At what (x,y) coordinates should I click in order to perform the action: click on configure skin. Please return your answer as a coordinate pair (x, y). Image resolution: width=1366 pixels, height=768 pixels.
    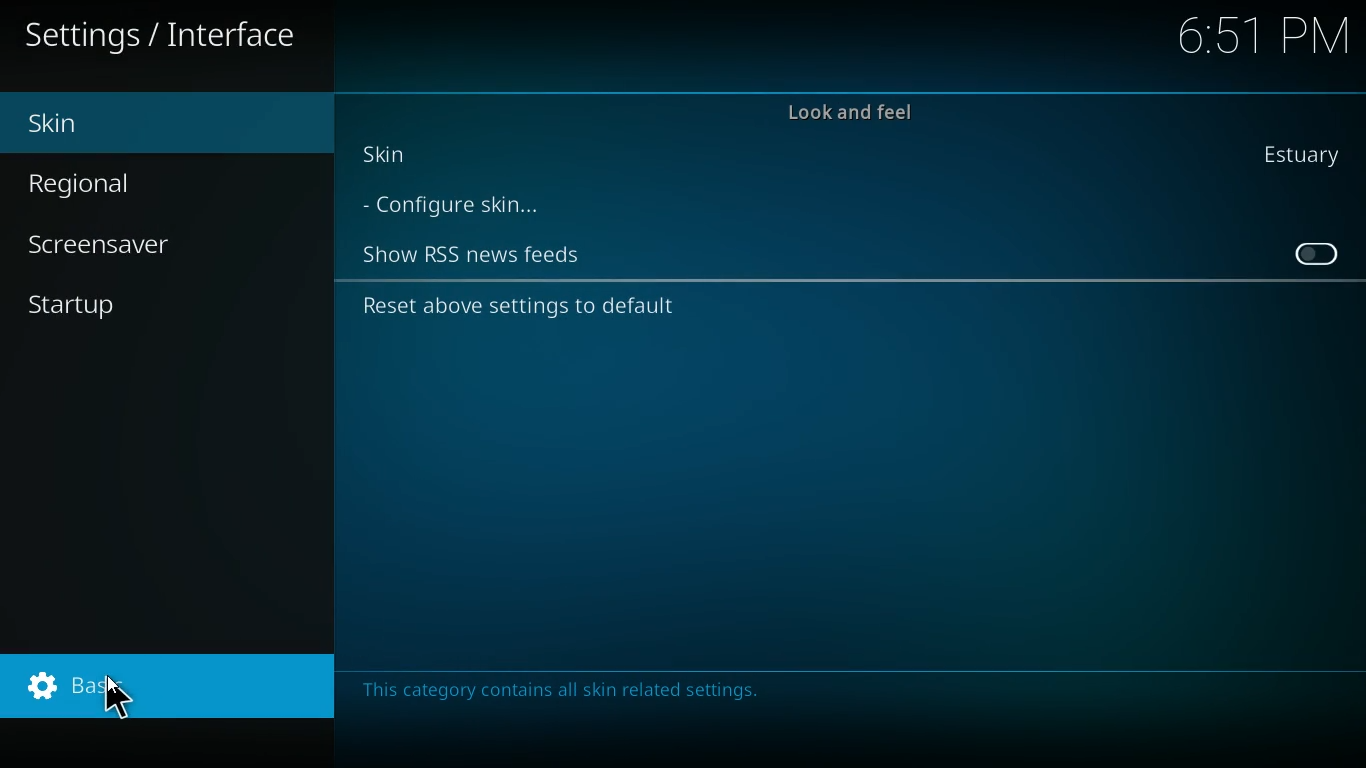
    Looking at the image, I should click on (459, 200).